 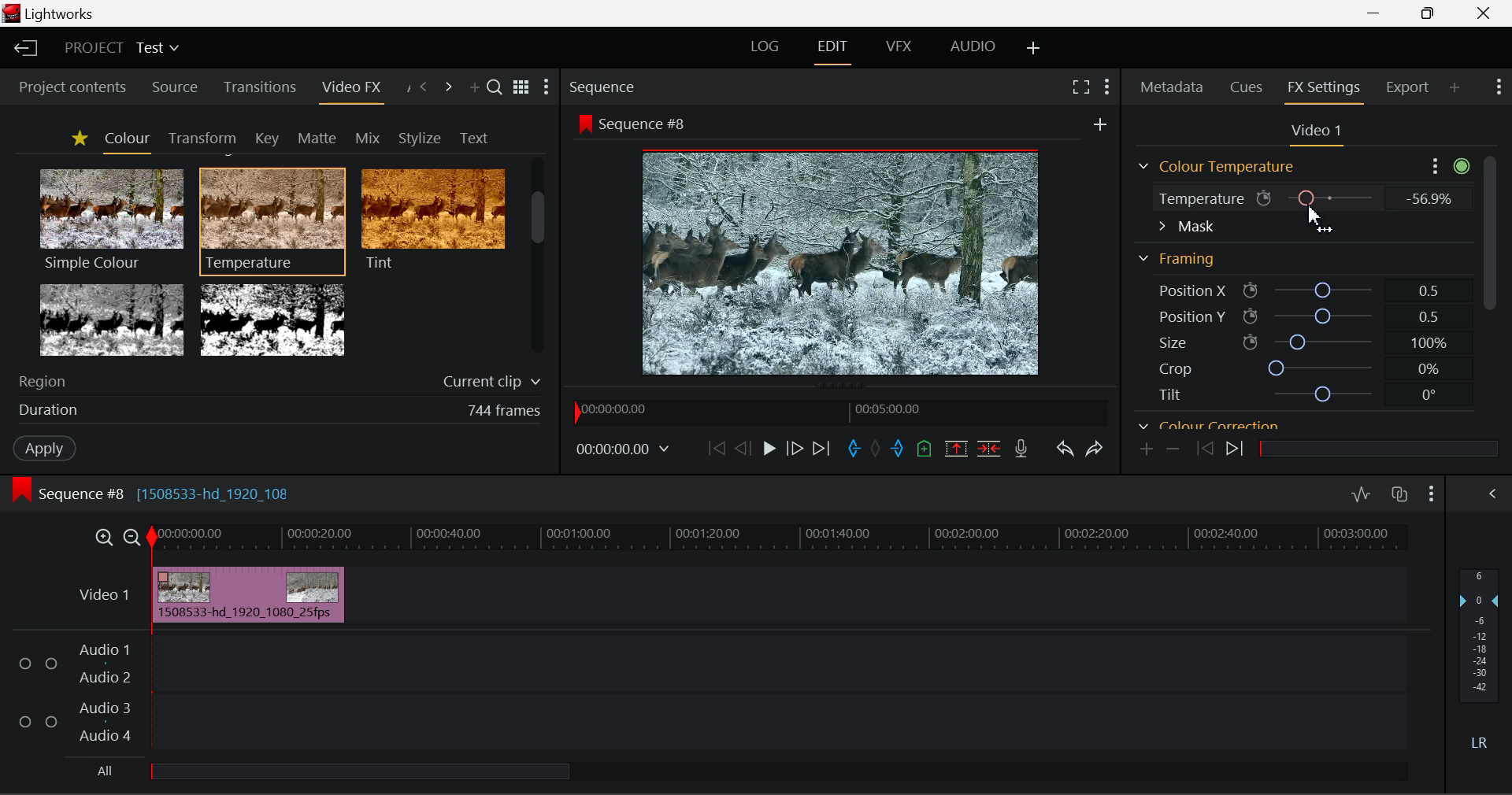 I want to click on Apply, so click(x=36, y=447).